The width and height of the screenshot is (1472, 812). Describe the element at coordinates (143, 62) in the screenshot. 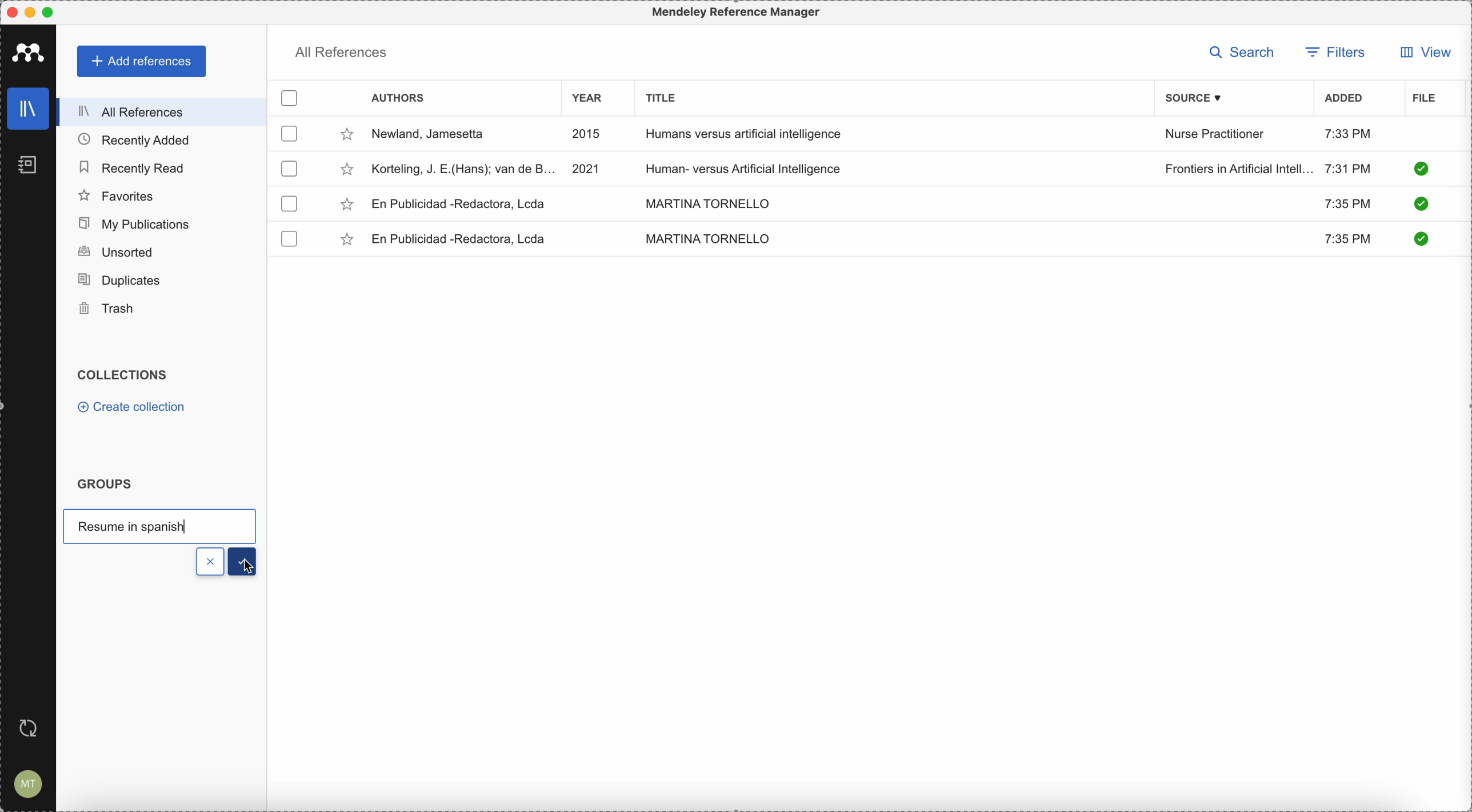

I see `add references` at that location.